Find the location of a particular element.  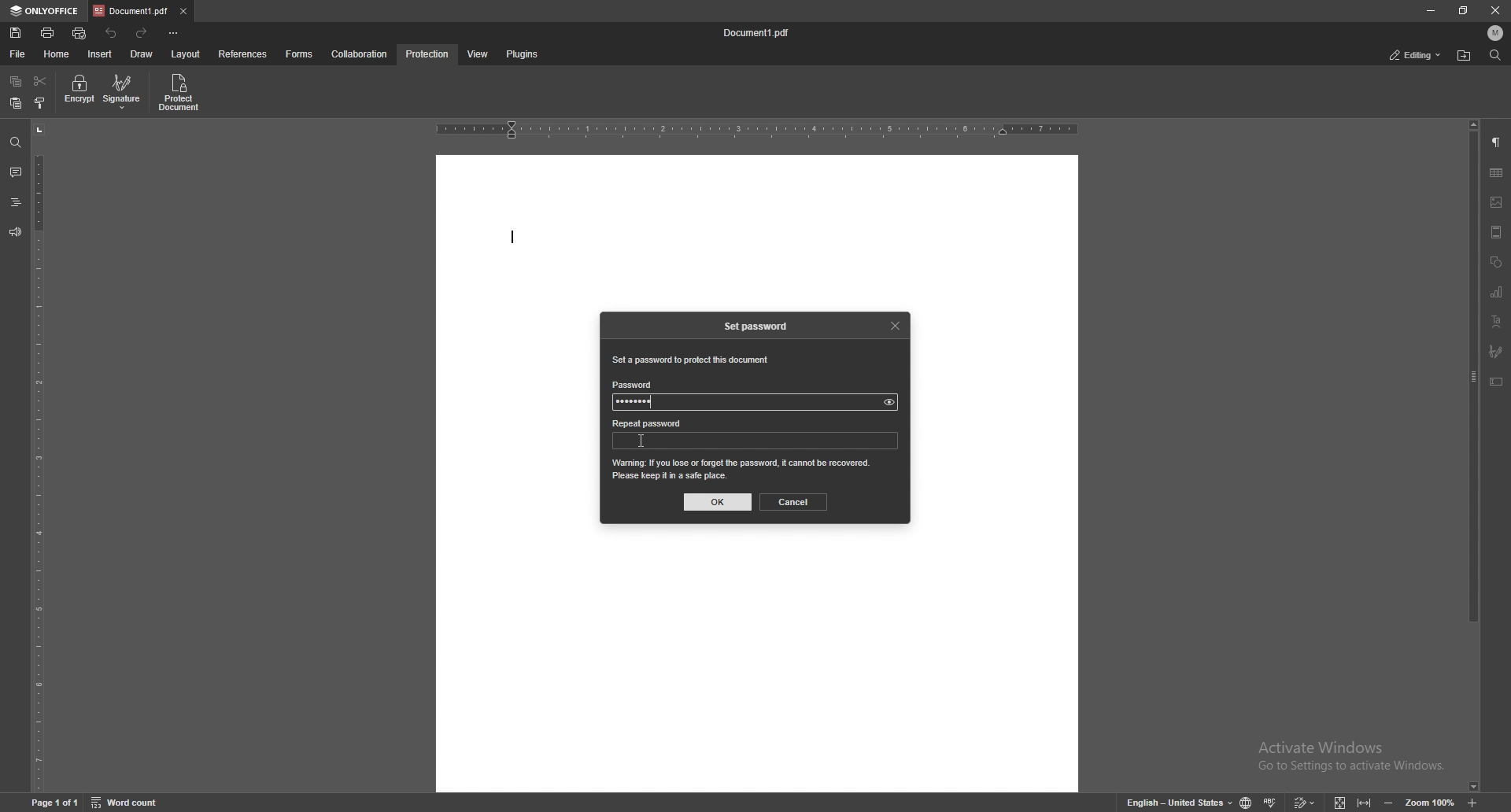

page is located at coordinates (54, 800).